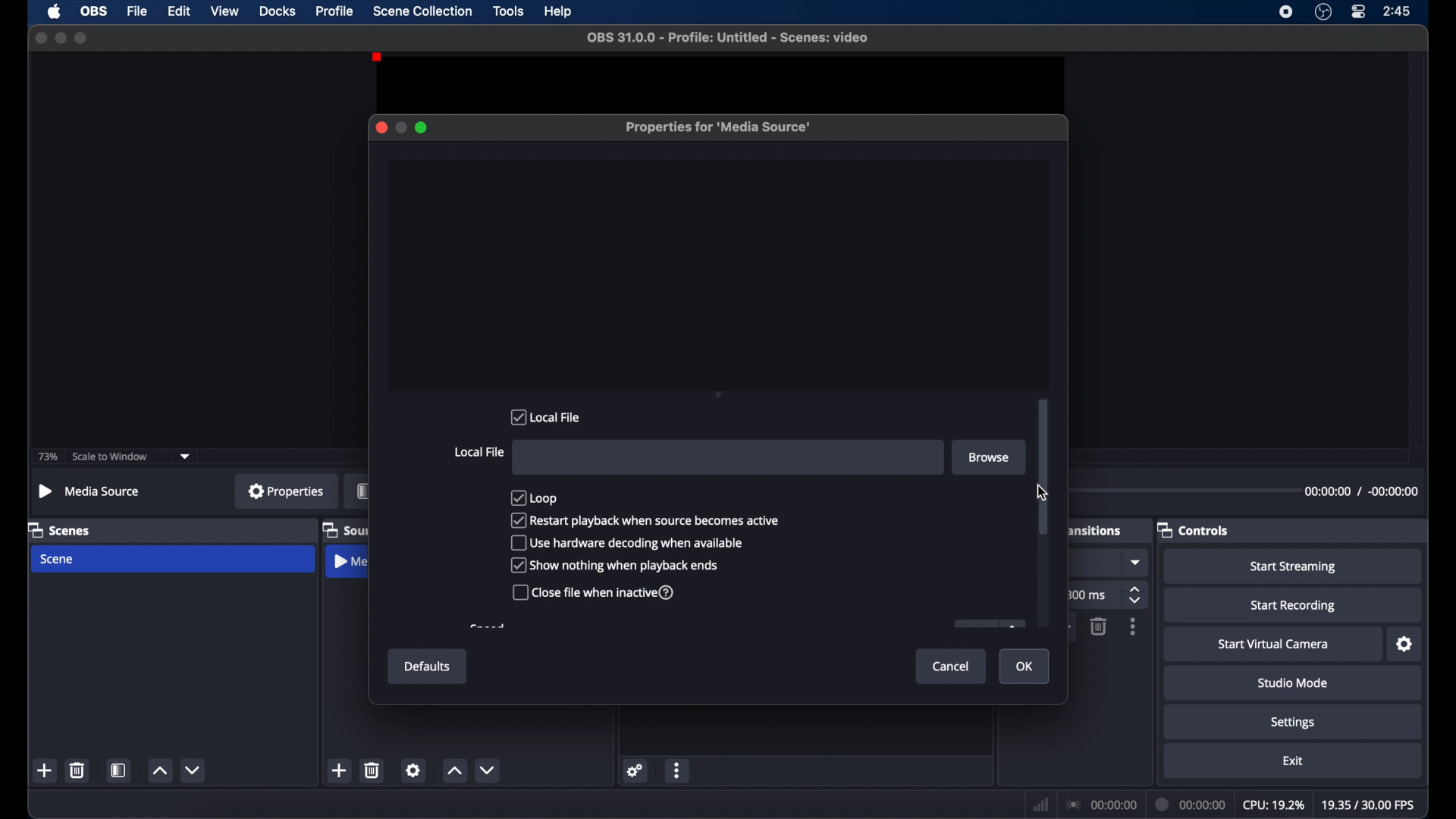 This screenshot has height=819, width=1456. I want to click on add, so click(340, 770).